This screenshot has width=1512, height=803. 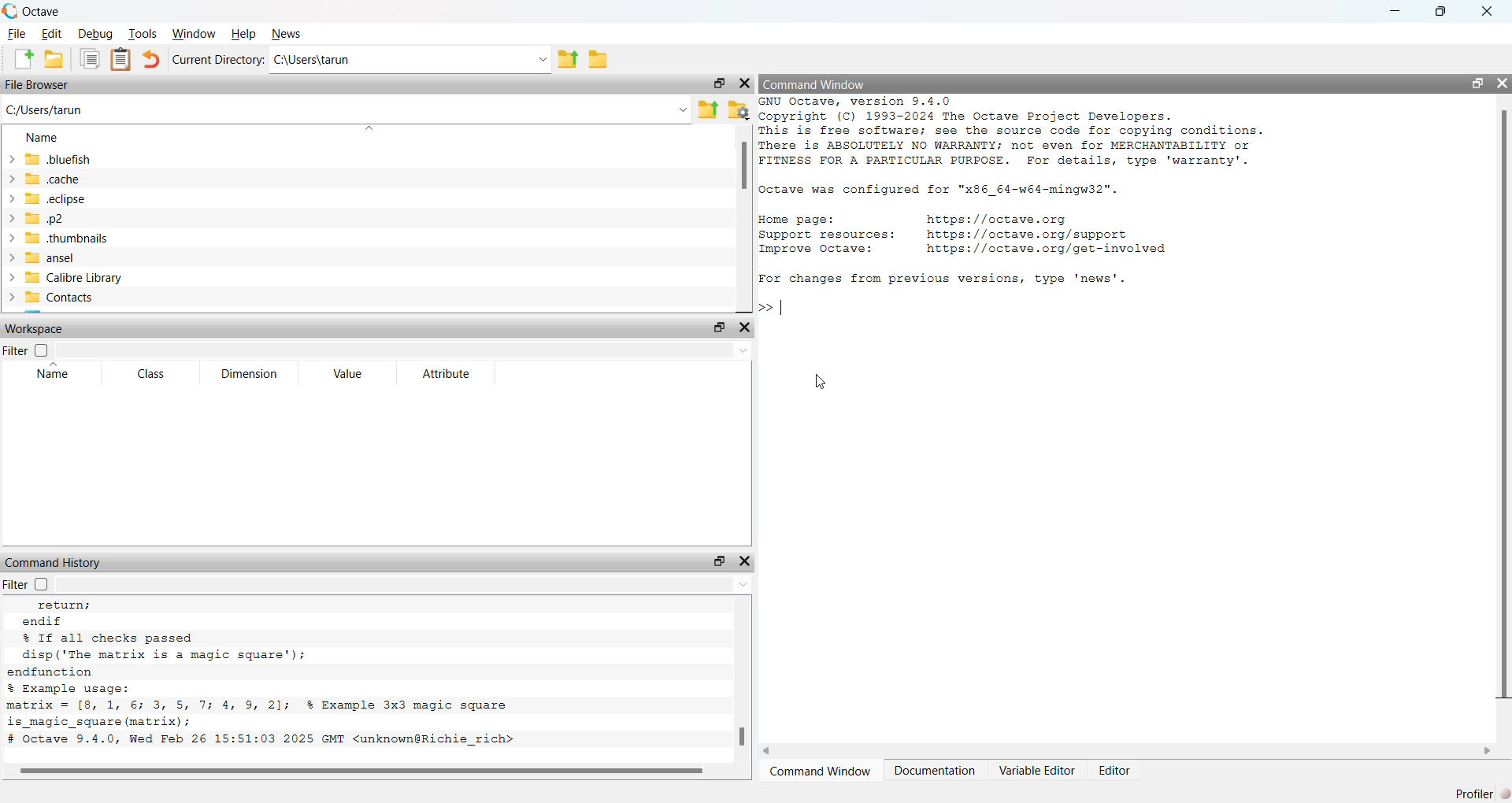 What do you see at coordinates (37, 329) in the screenshot?
I see `Workspace` at bounding box center [37, 329].